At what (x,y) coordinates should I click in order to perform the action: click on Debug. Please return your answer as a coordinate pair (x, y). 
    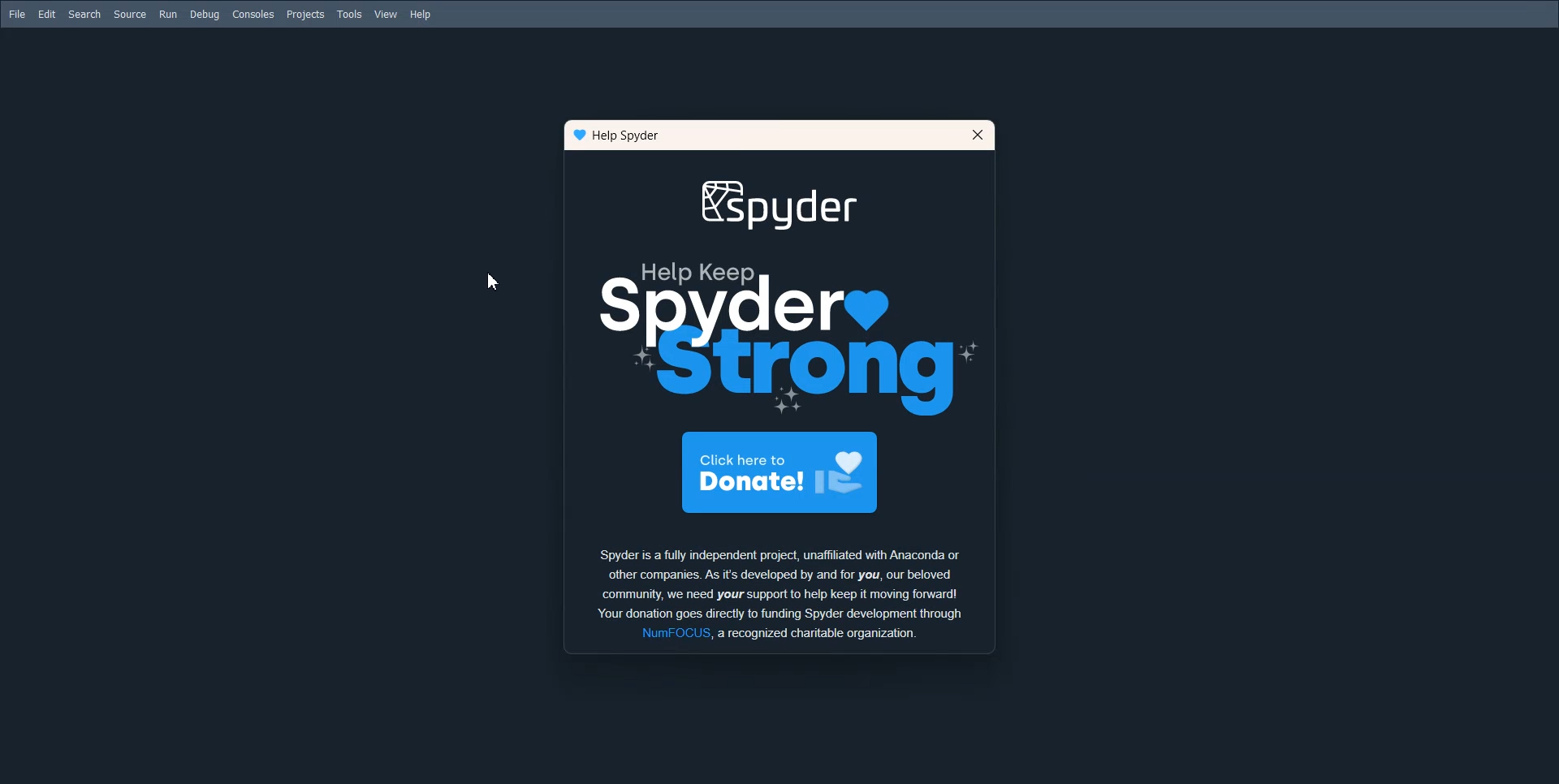
    Looking at the image, I should click on (205, 15).